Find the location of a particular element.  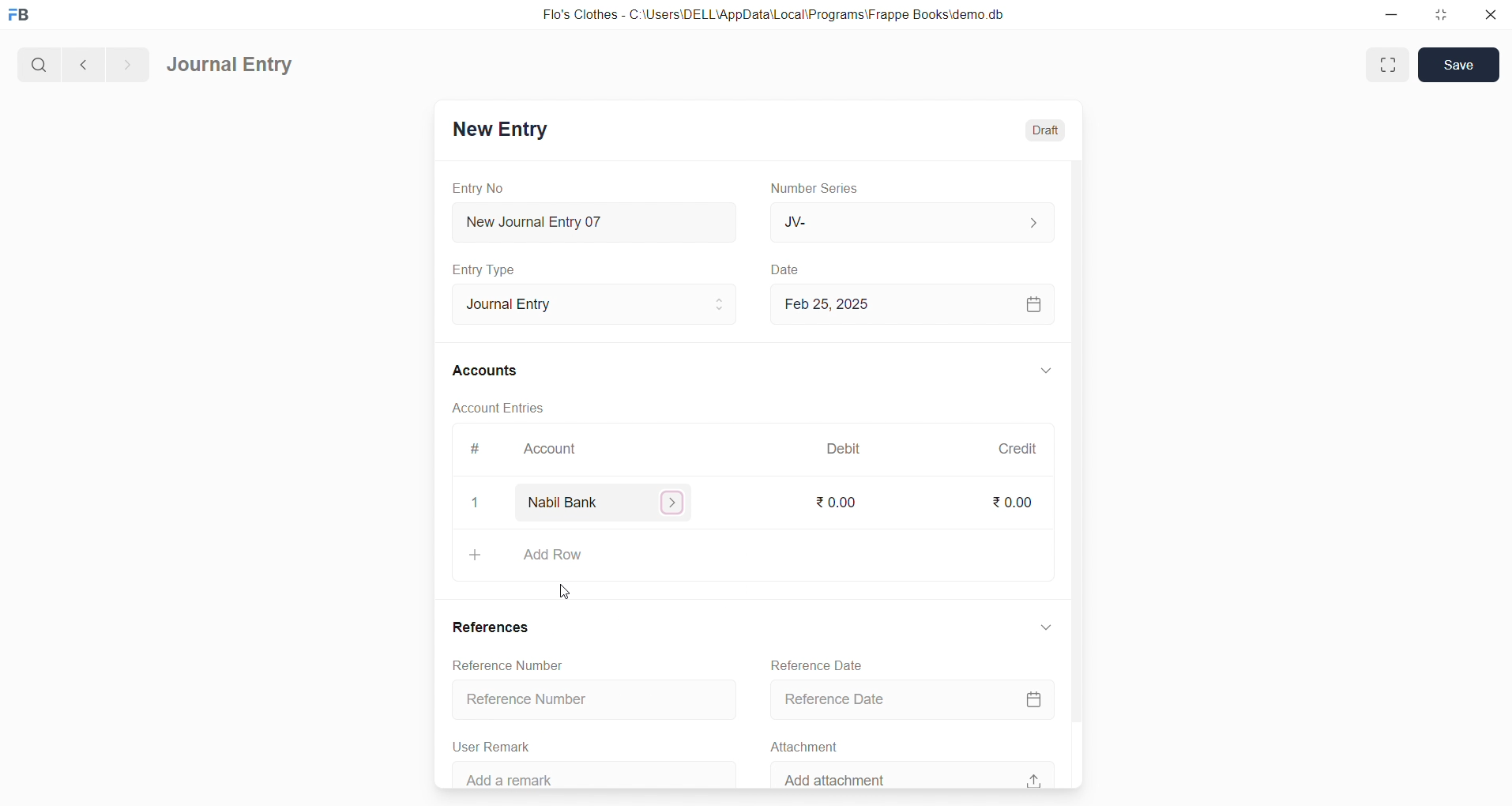

cursor is located at coordinates (568, 587).